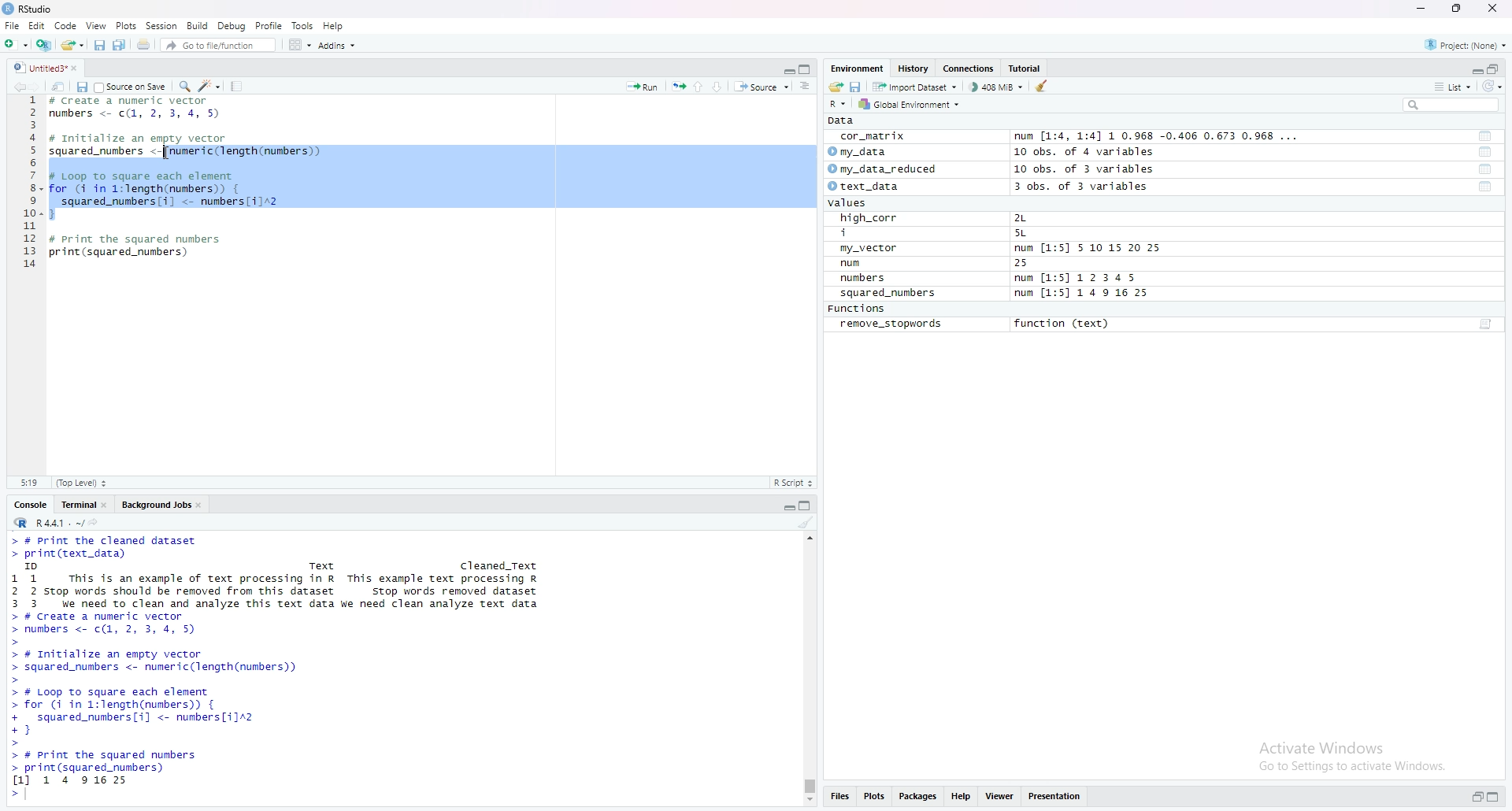 The height and width of the screenshot is (811, 1512). What do you see at coordinates (699, 85) in the screenshot?
I see `up` at bounding box center [699, 85].